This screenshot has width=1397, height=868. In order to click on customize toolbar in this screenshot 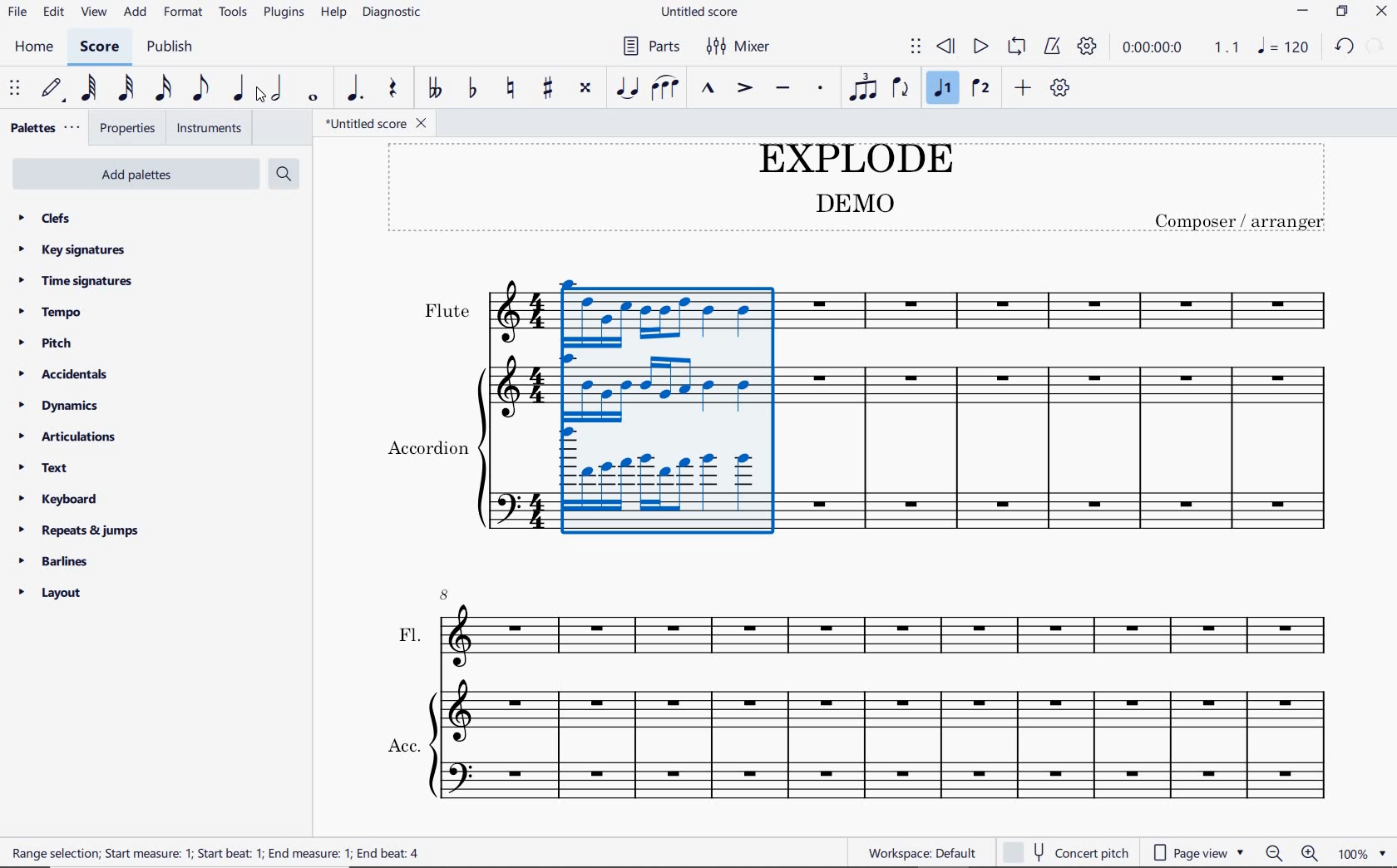, I will do `click(1063, 87)`.